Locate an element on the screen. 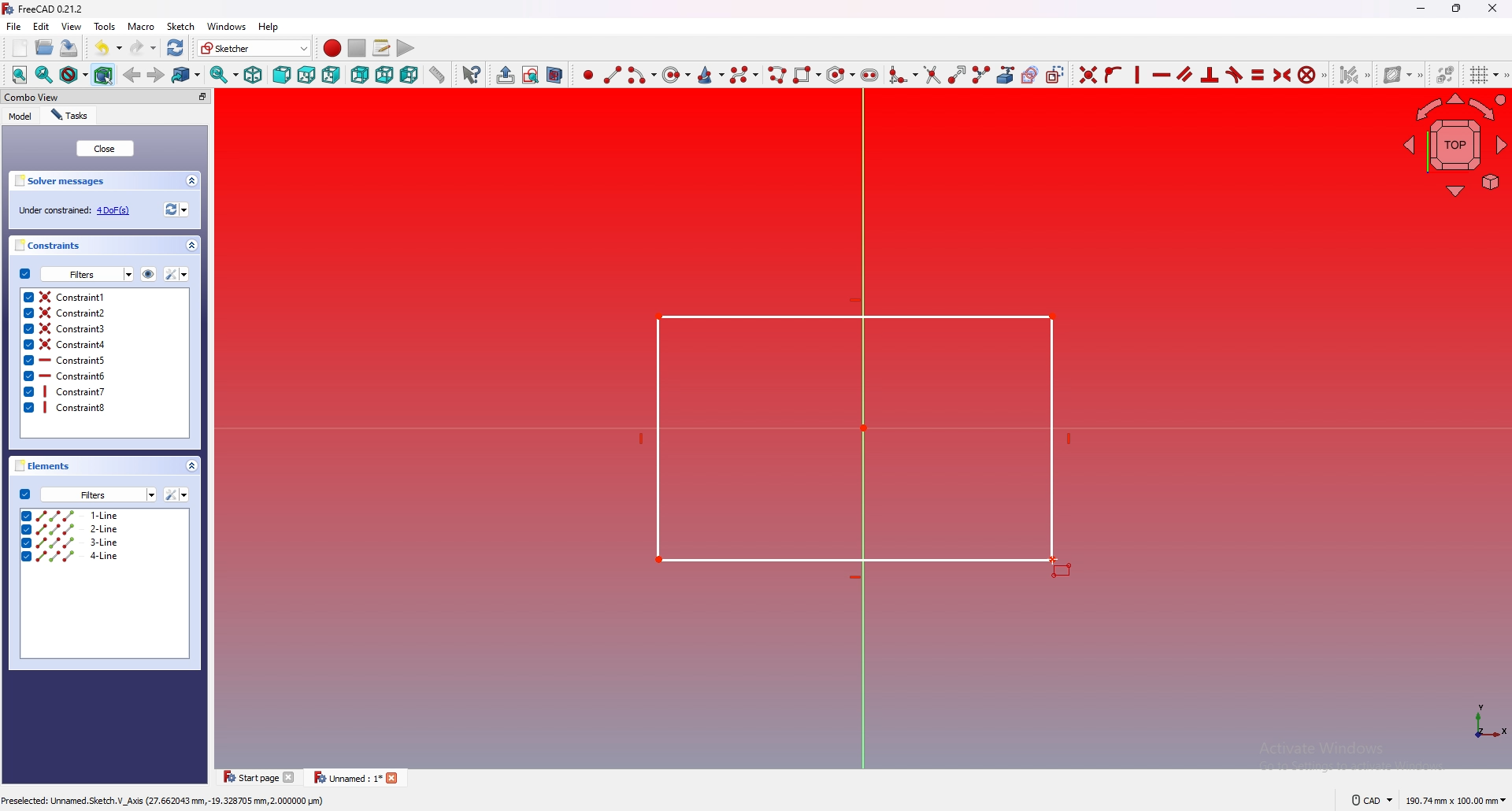 Image resolution: width=1512 pixels, height=811 pixels. refresh is located at coordinates (176, 48).